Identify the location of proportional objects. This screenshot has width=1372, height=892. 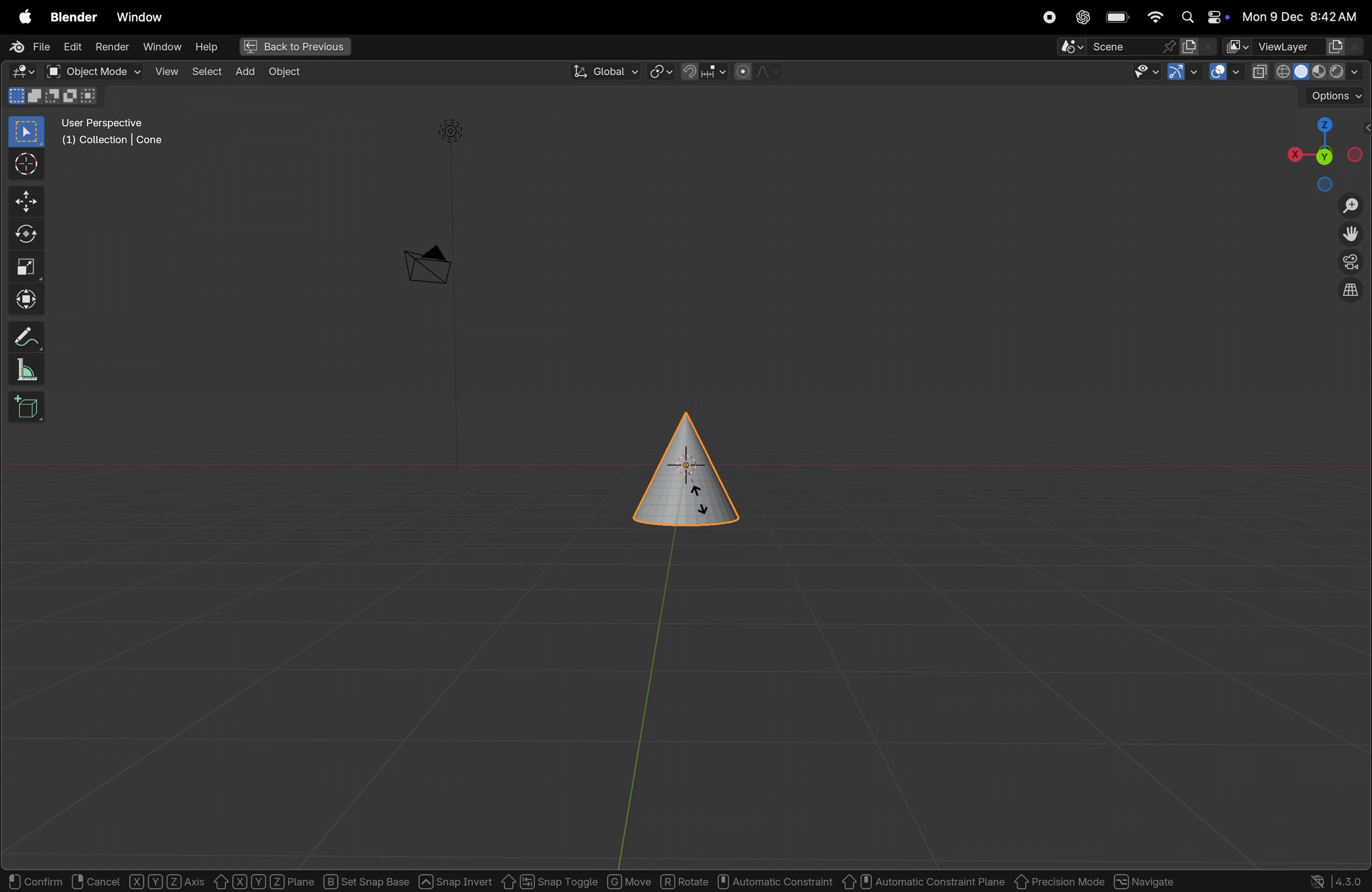
(760, 71).